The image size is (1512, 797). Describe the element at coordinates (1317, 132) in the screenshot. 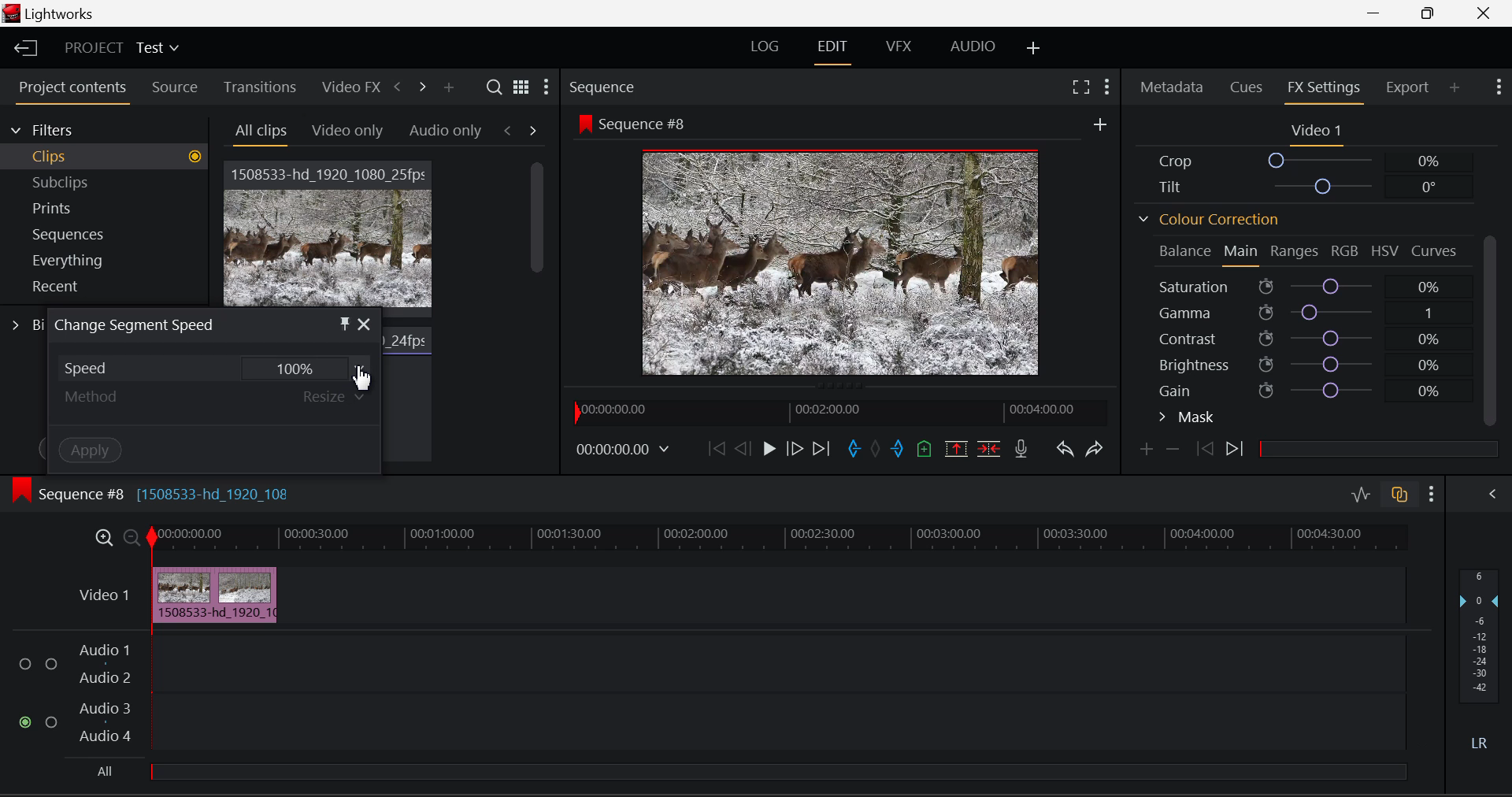

I see `Video 1 Settings` at that location.